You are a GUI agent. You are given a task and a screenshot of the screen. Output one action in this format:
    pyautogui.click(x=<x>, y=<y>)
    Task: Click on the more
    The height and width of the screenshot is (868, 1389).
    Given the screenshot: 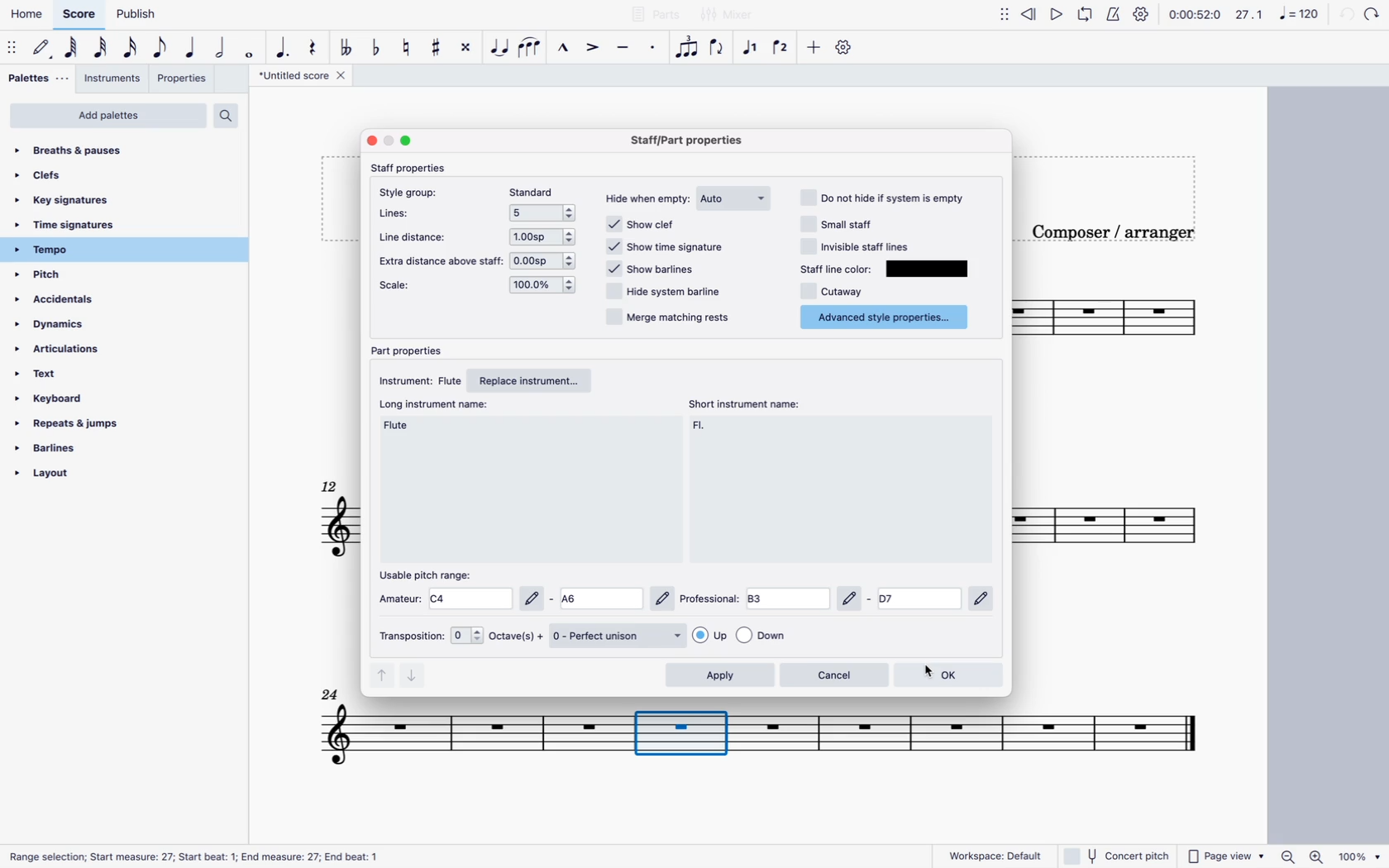 What is the action you would take?
    pyautogui.click(x=814, y=46)
    